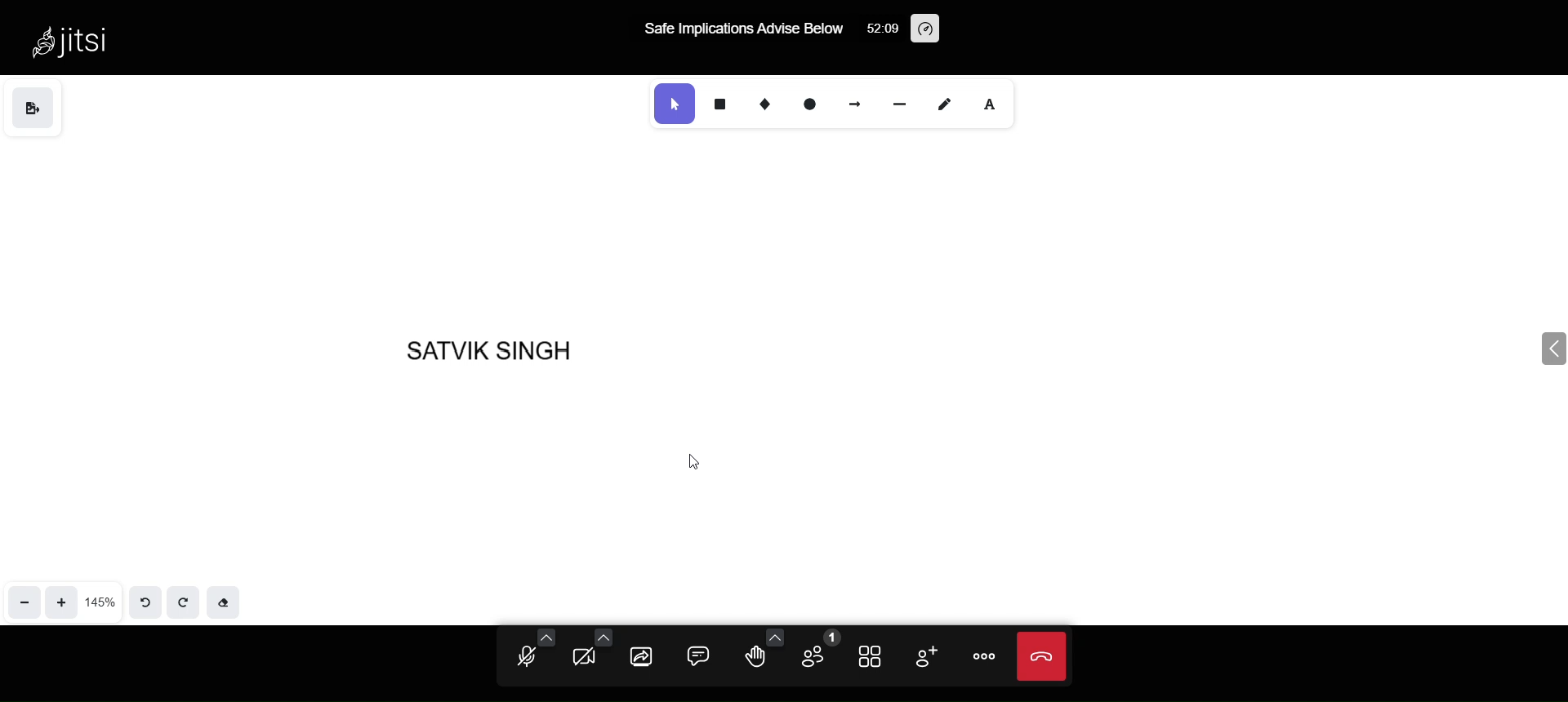  I want to click on redo, so click(186, 602).